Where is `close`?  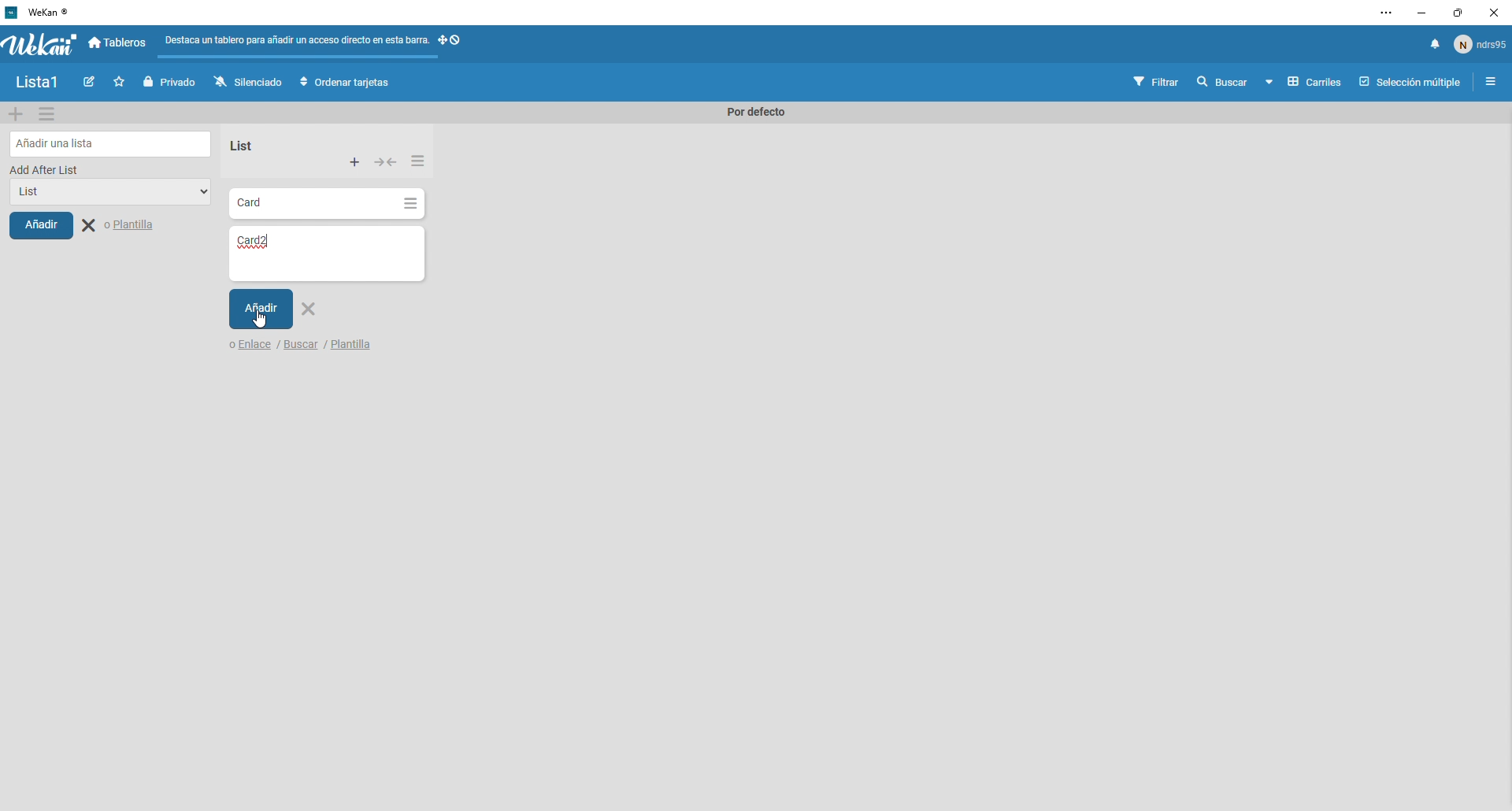 close is located at coordinates (1492, 14).